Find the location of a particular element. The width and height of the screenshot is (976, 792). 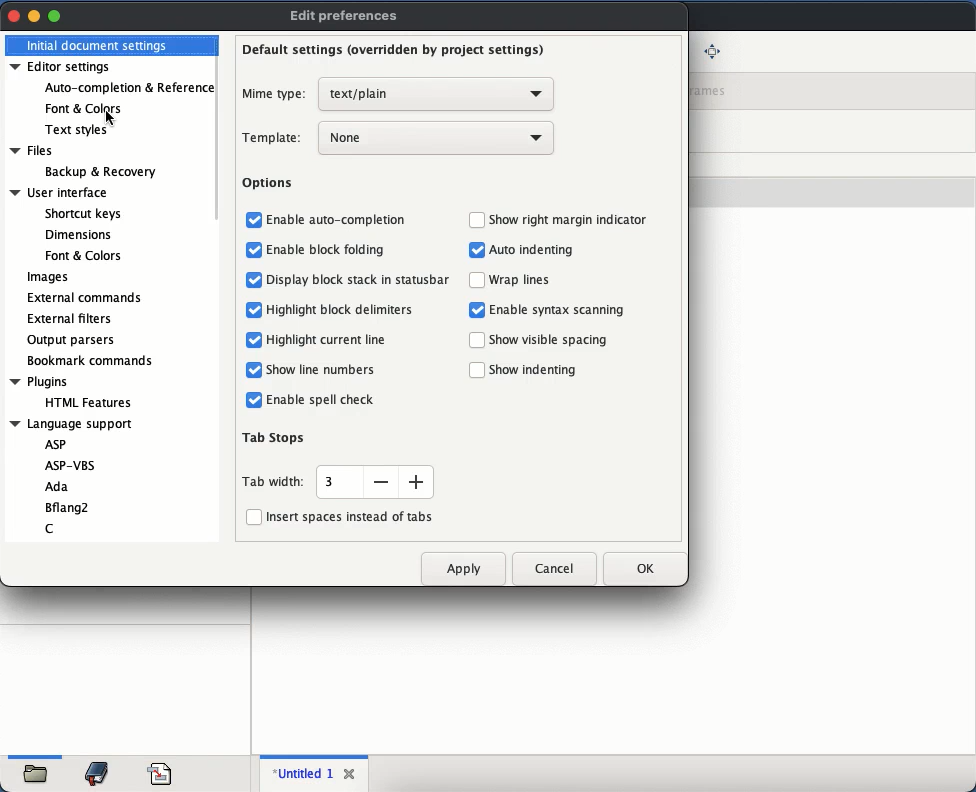

images is located at coordinates (47, 278).